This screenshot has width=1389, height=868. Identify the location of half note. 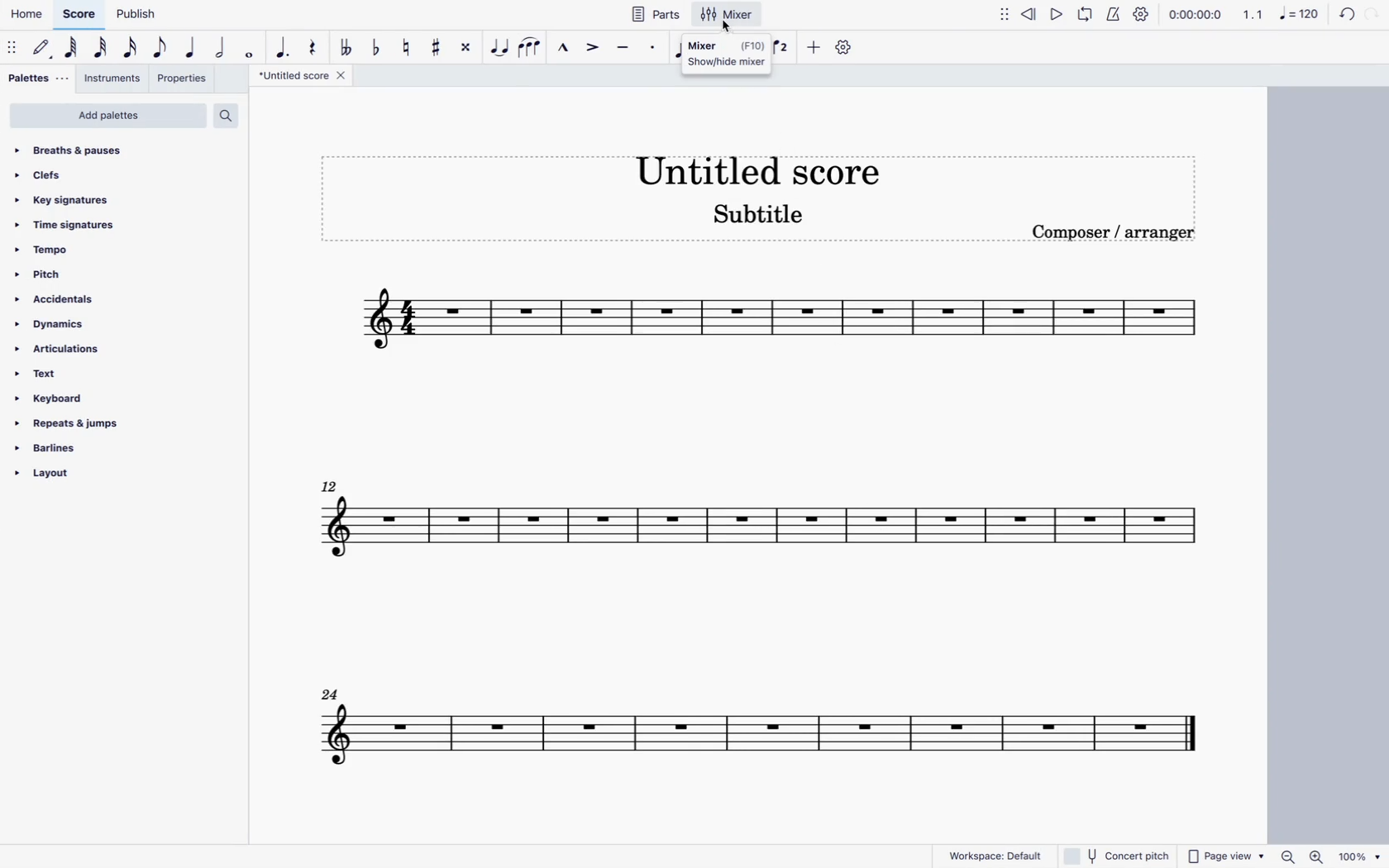
(222, 49).